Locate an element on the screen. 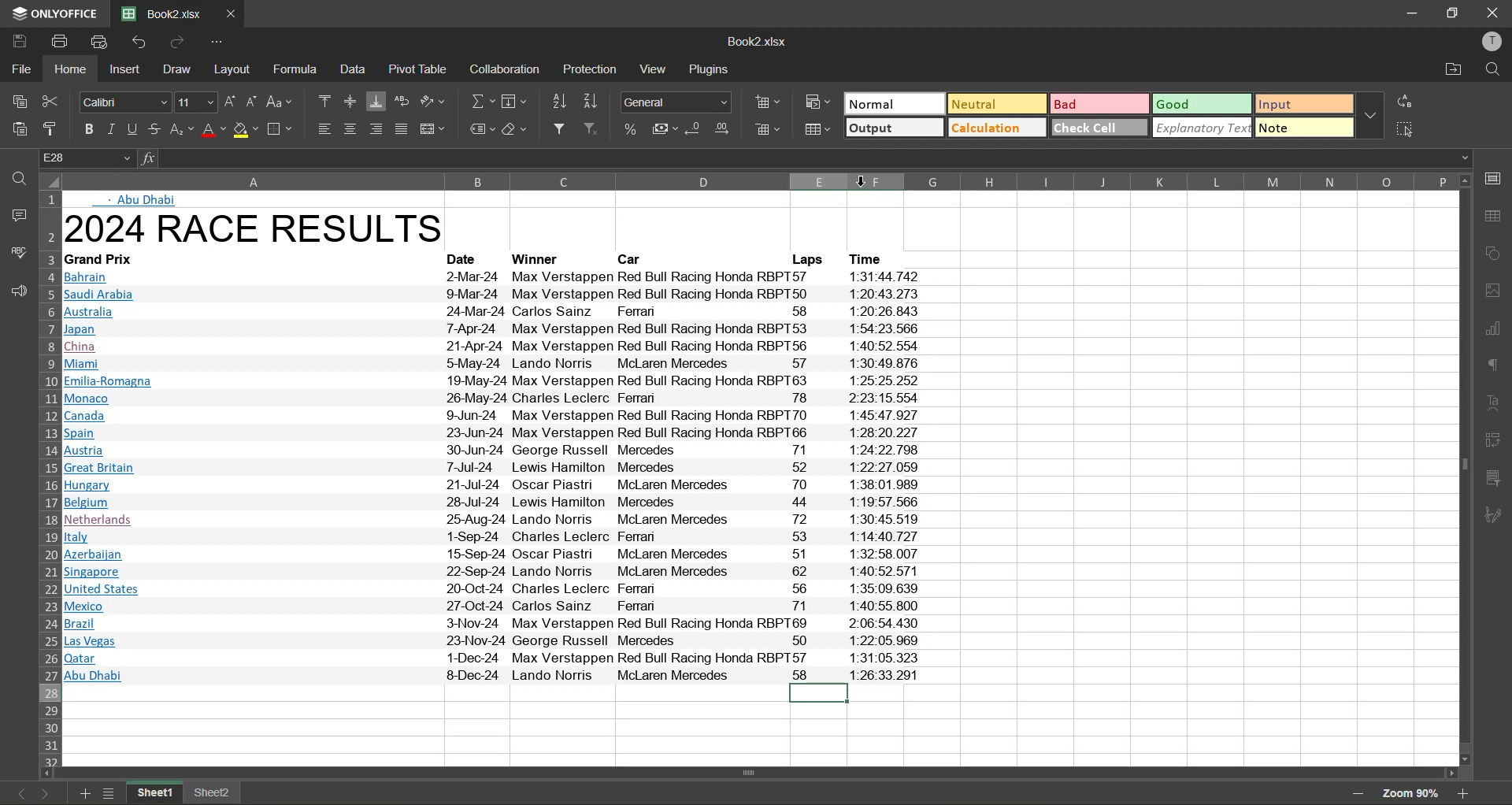 Image resolution: width=1512 pixels, height=805 pixels. Italy 1-Sep-24 Charles Leclerc reman 23 1:14:40.721 is located at coordinates (495, 538).